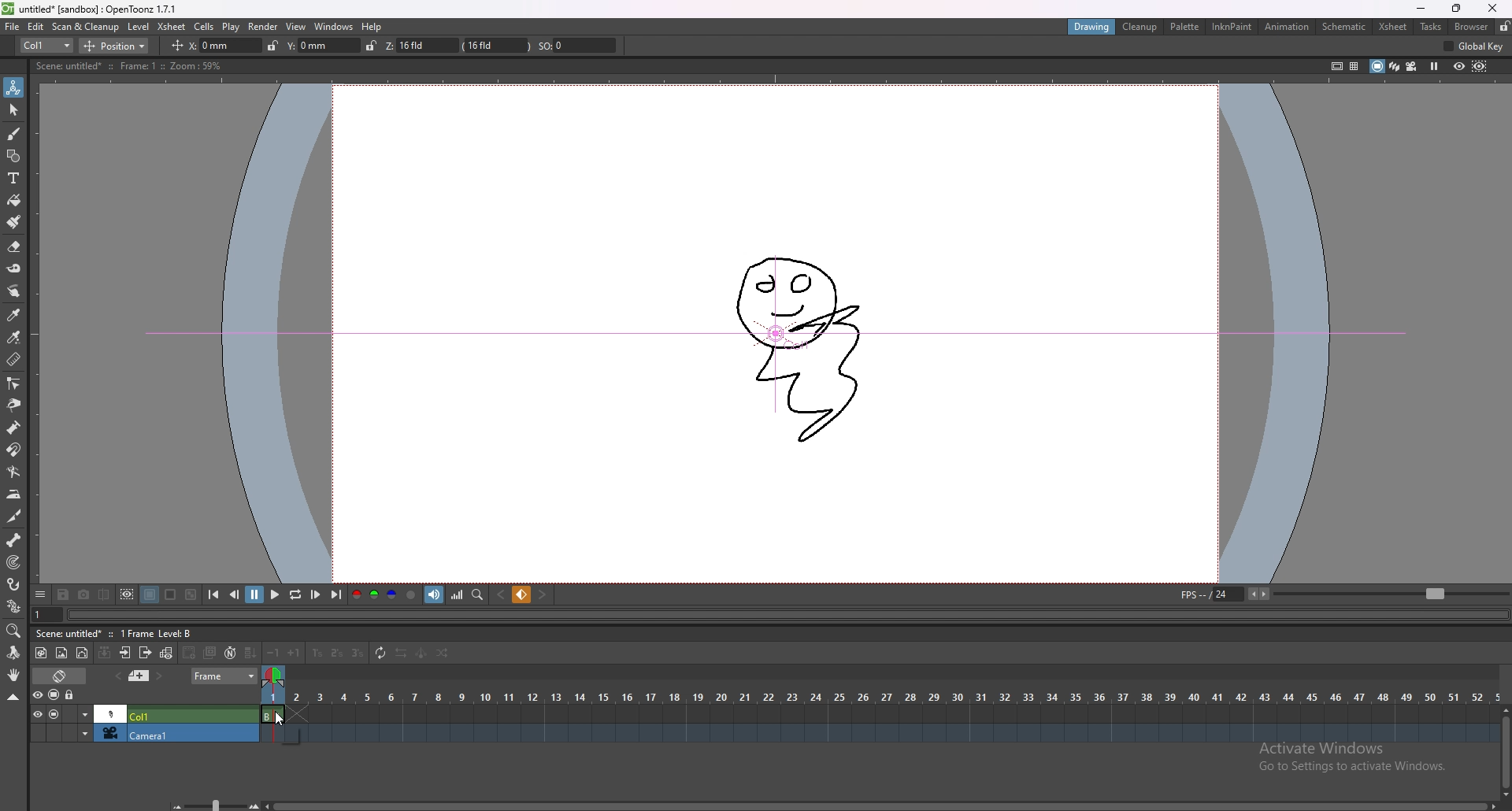 This screenshot has height=811, width=1512. What do you see at coordinates (411, 594) in the screenshot?
I see `alpha channel` at bounding box center [411, 594].